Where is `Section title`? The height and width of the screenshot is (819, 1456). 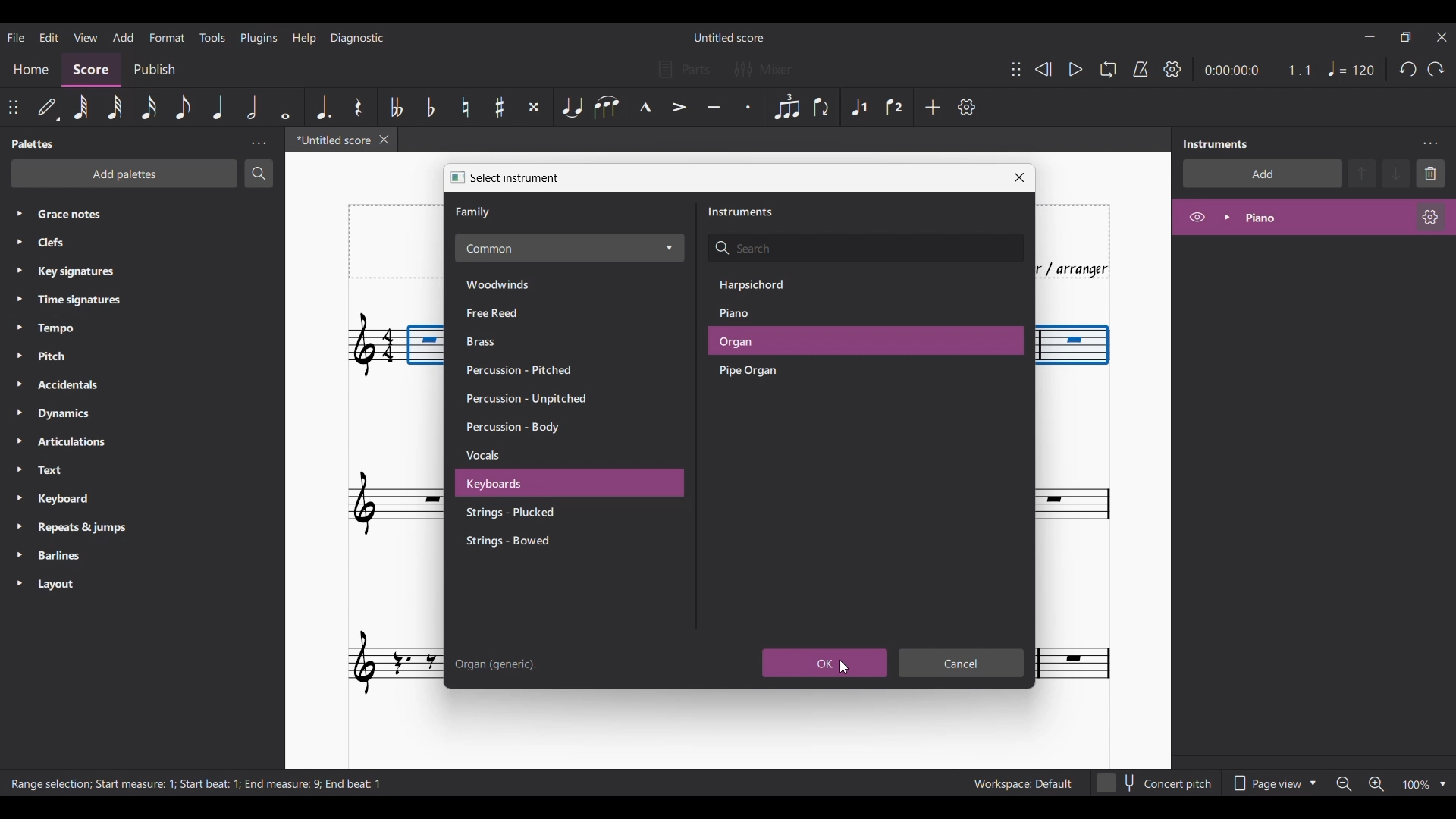 Section title is located at coordinates (741, 212).